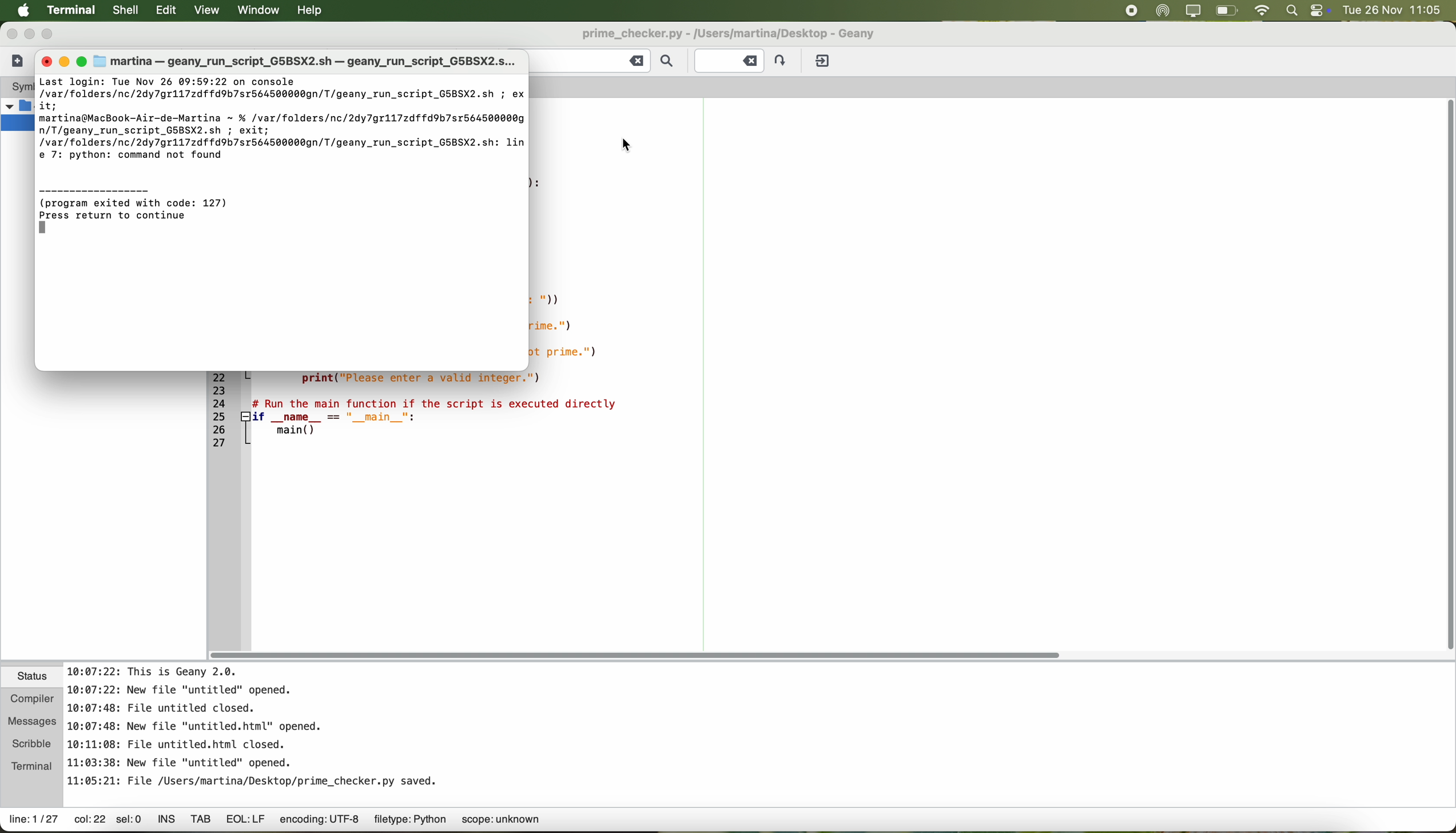  I want to click on cursor, so click(624, 145).